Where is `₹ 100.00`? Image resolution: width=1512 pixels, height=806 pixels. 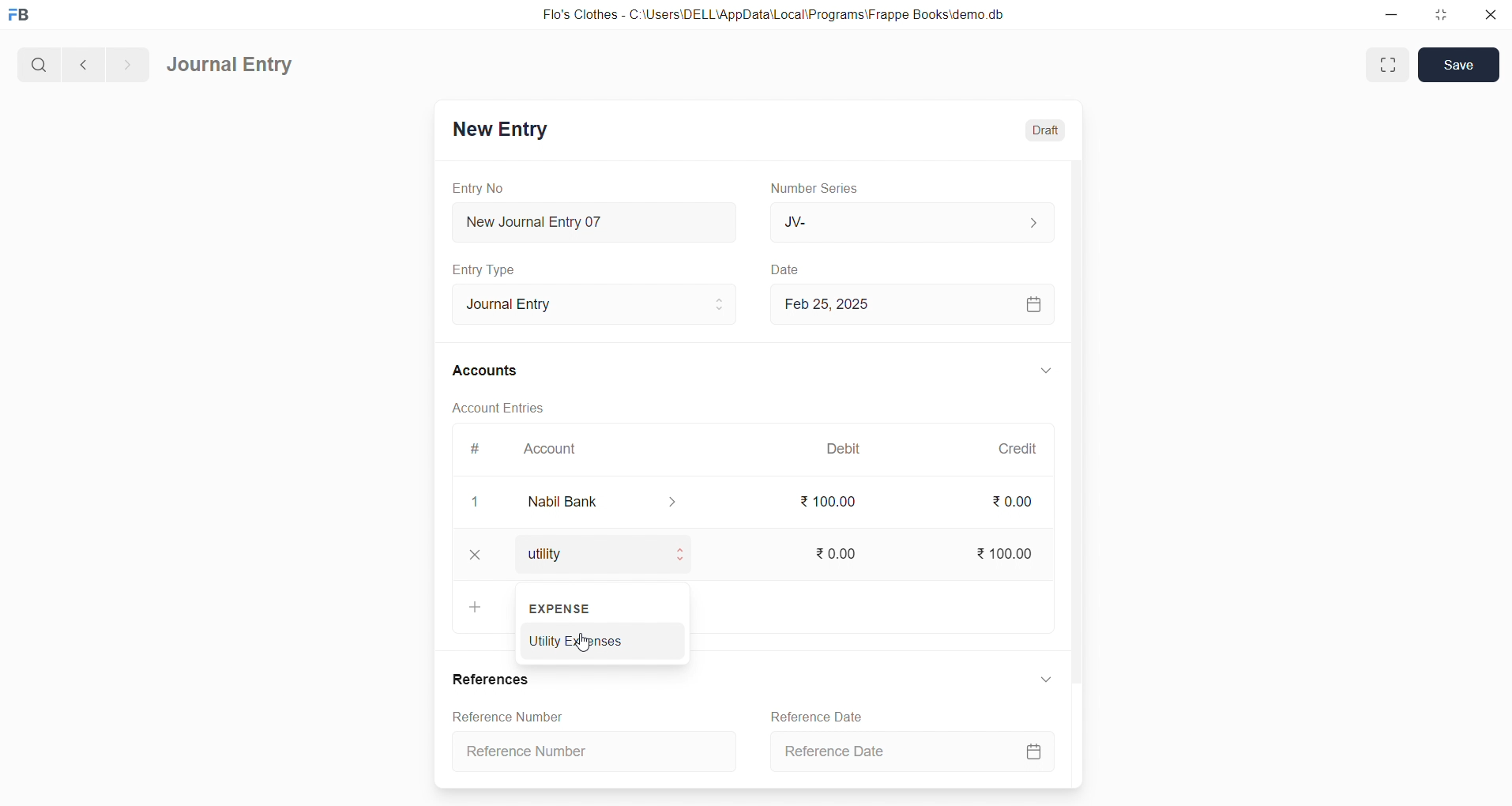
₹ 100.00 is located at coordinates (1000, 551).